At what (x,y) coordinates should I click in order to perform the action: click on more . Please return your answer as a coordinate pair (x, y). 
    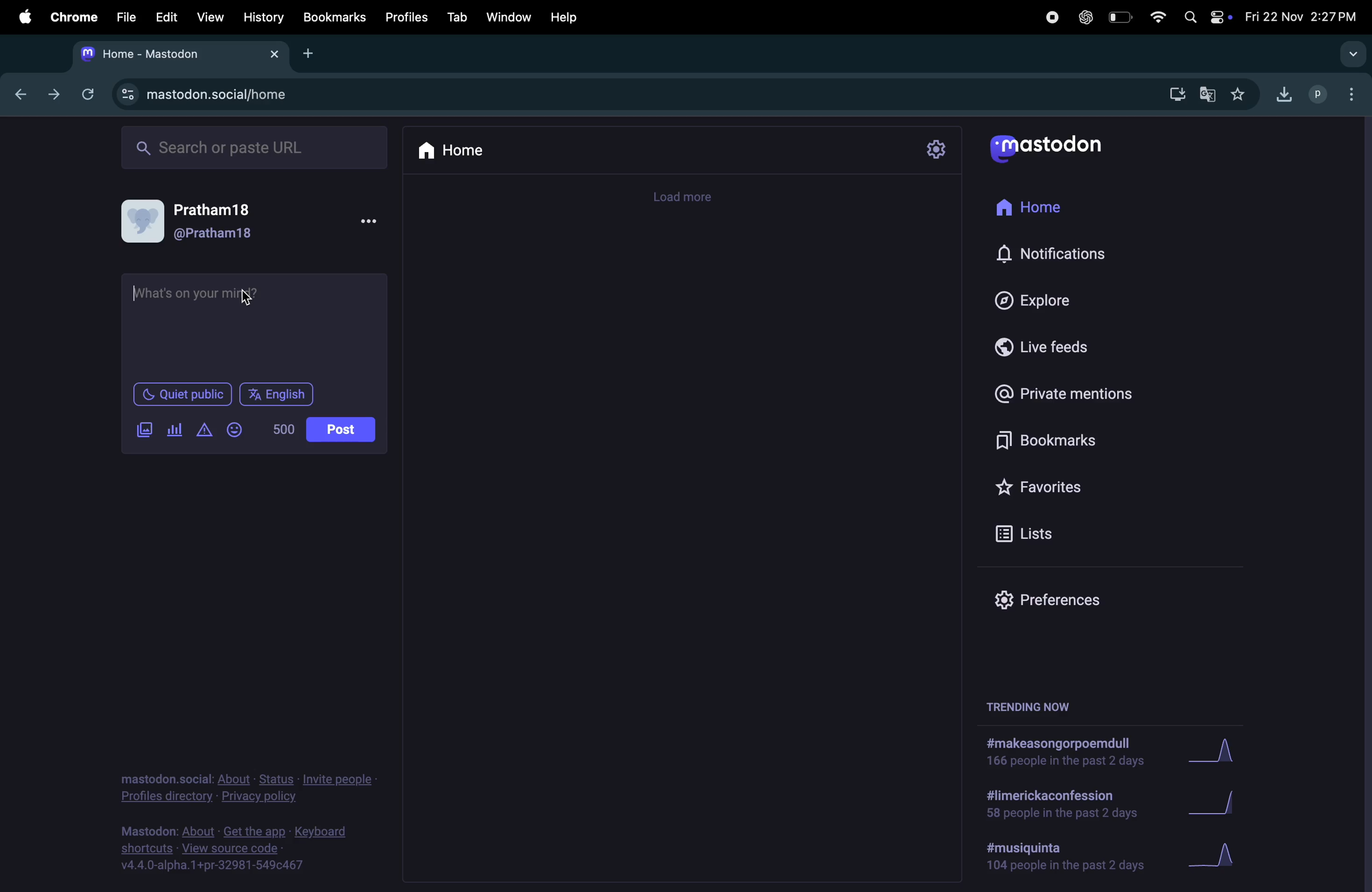
    Looking at the image, I should click on (372, 223).